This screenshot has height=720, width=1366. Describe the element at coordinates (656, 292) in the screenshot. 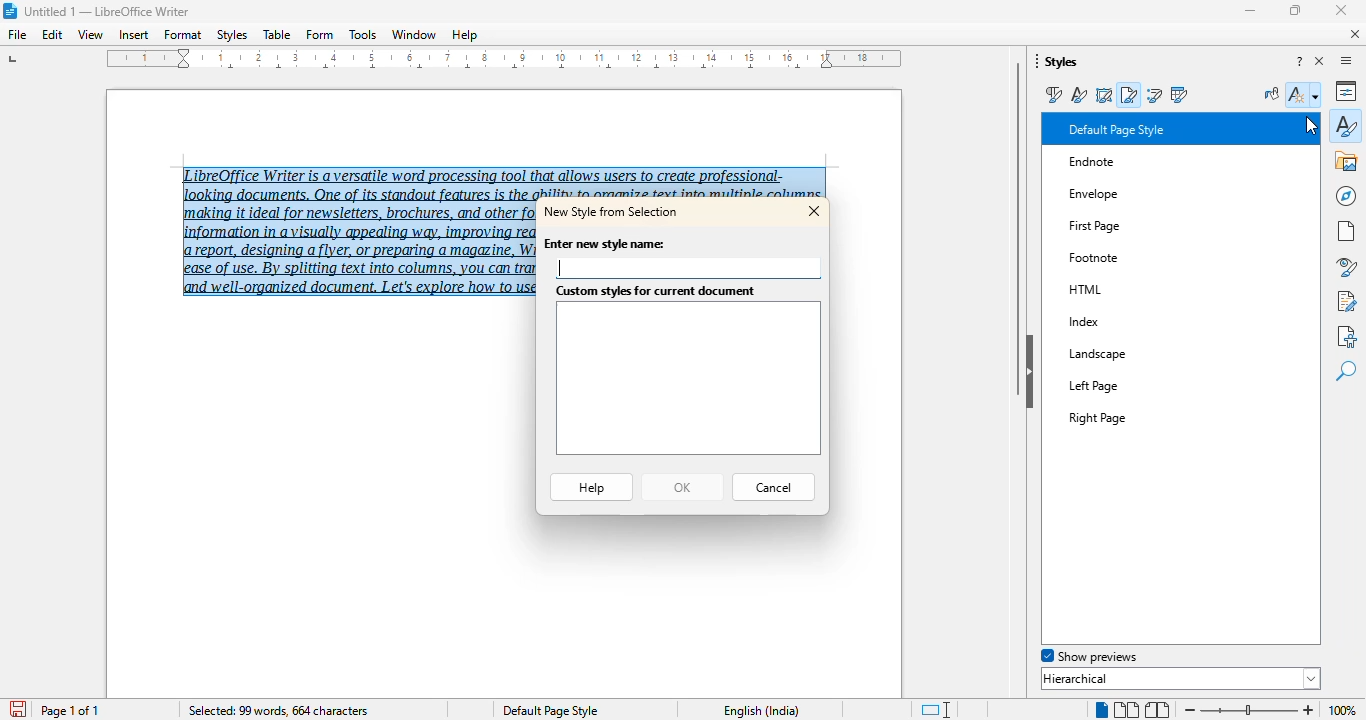

I see `custom styles for current document` at that location.